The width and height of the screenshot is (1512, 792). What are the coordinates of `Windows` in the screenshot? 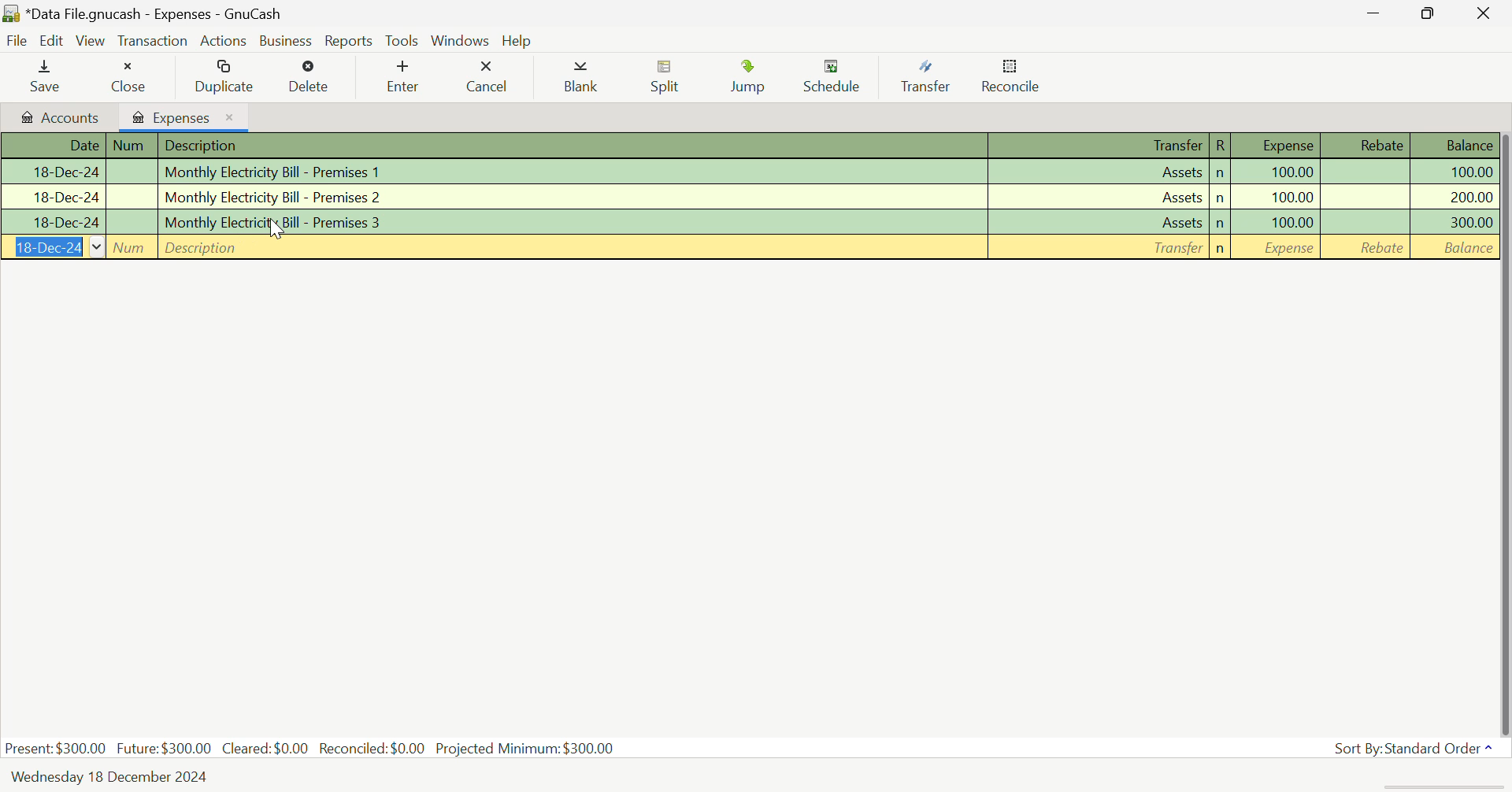 It's located at (460, 40).